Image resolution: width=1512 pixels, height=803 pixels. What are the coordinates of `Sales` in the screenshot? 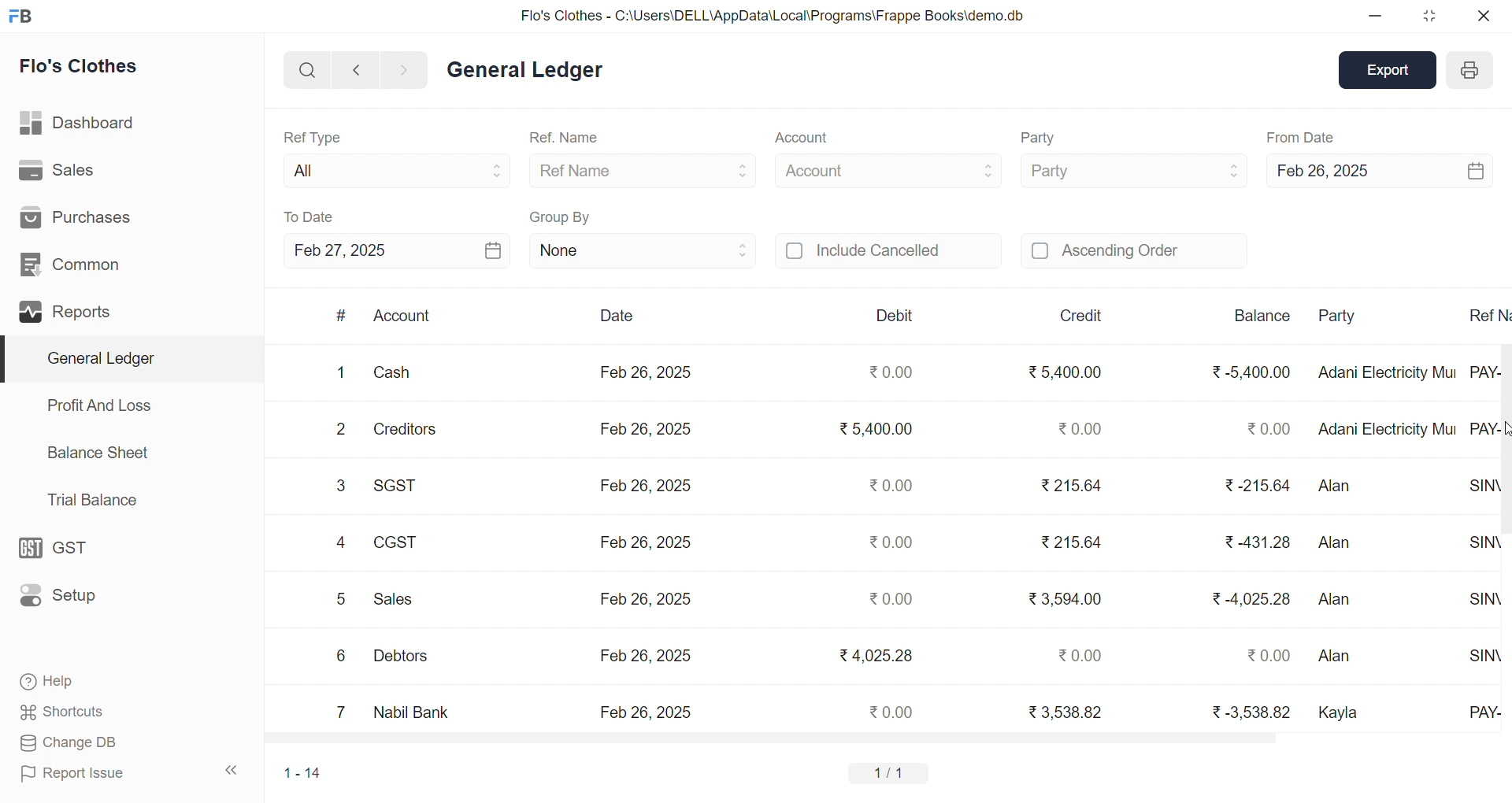 It's located at (57, 168).